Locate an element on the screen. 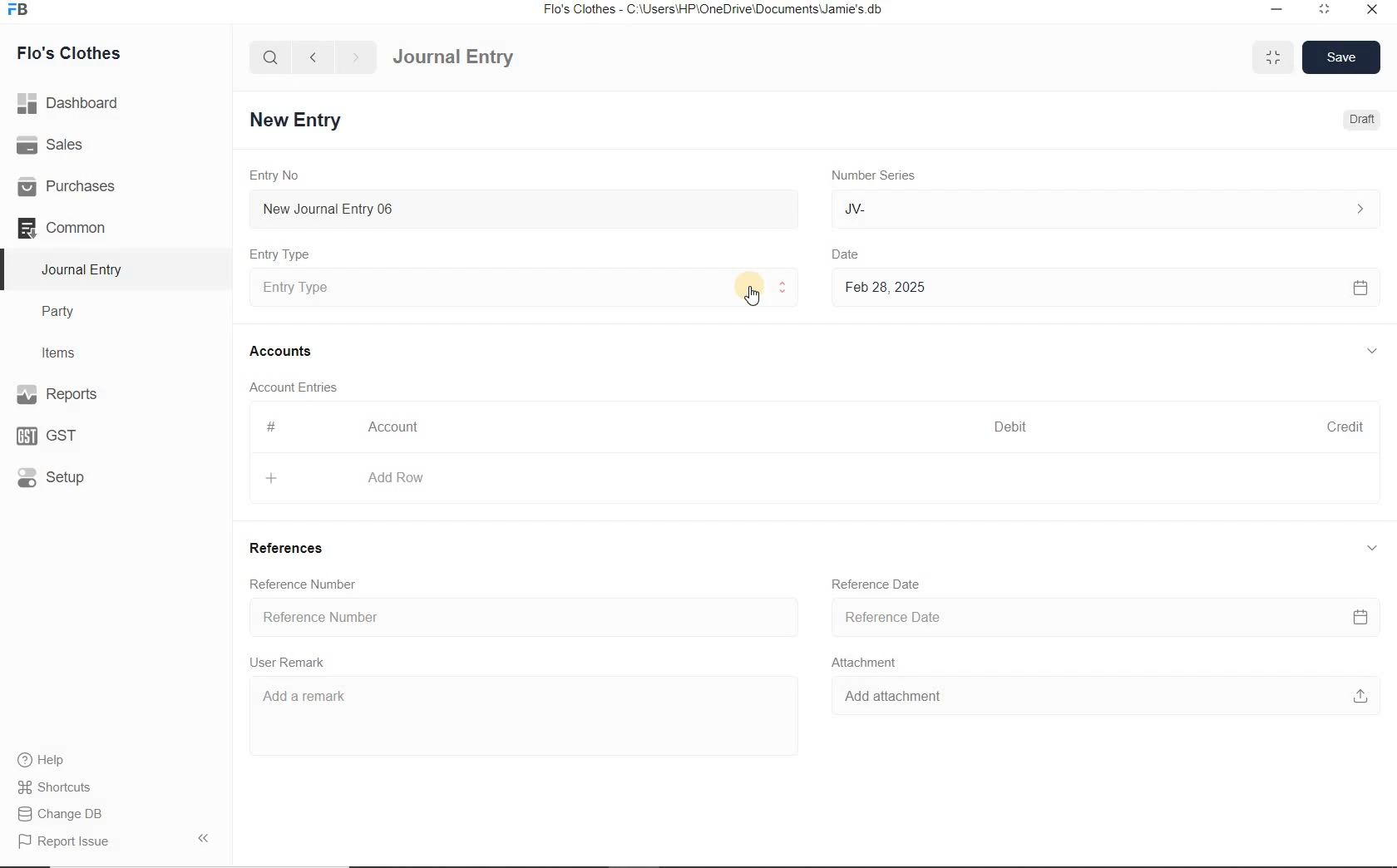 This screenshot has height=868, width=1397. References is located at coordinates (292, 550).